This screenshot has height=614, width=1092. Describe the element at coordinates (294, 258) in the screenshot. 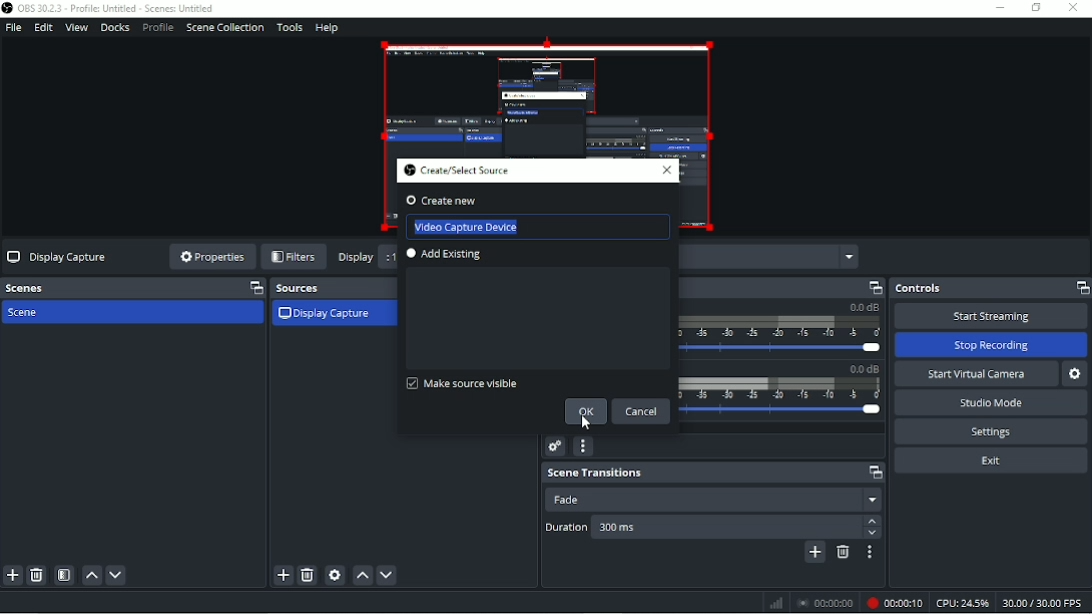

I see `Filters` at that location.